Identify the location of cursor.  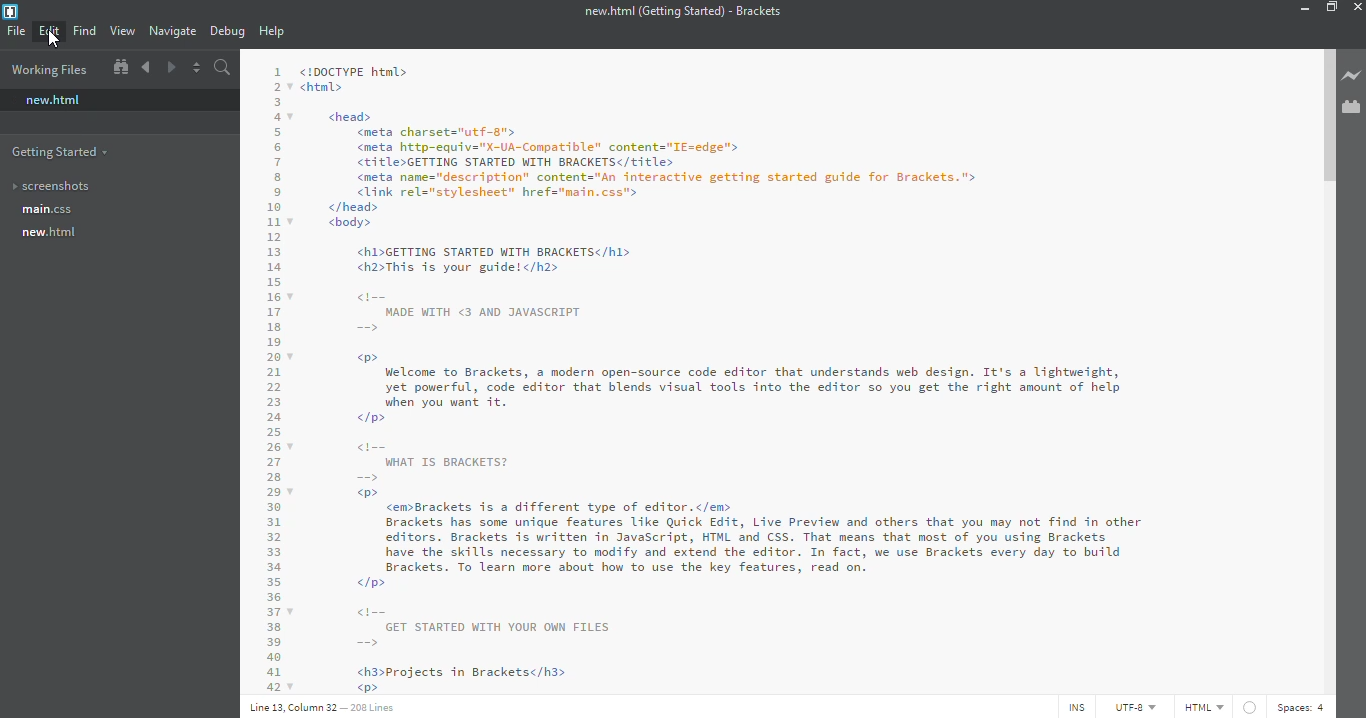
(55, 41).